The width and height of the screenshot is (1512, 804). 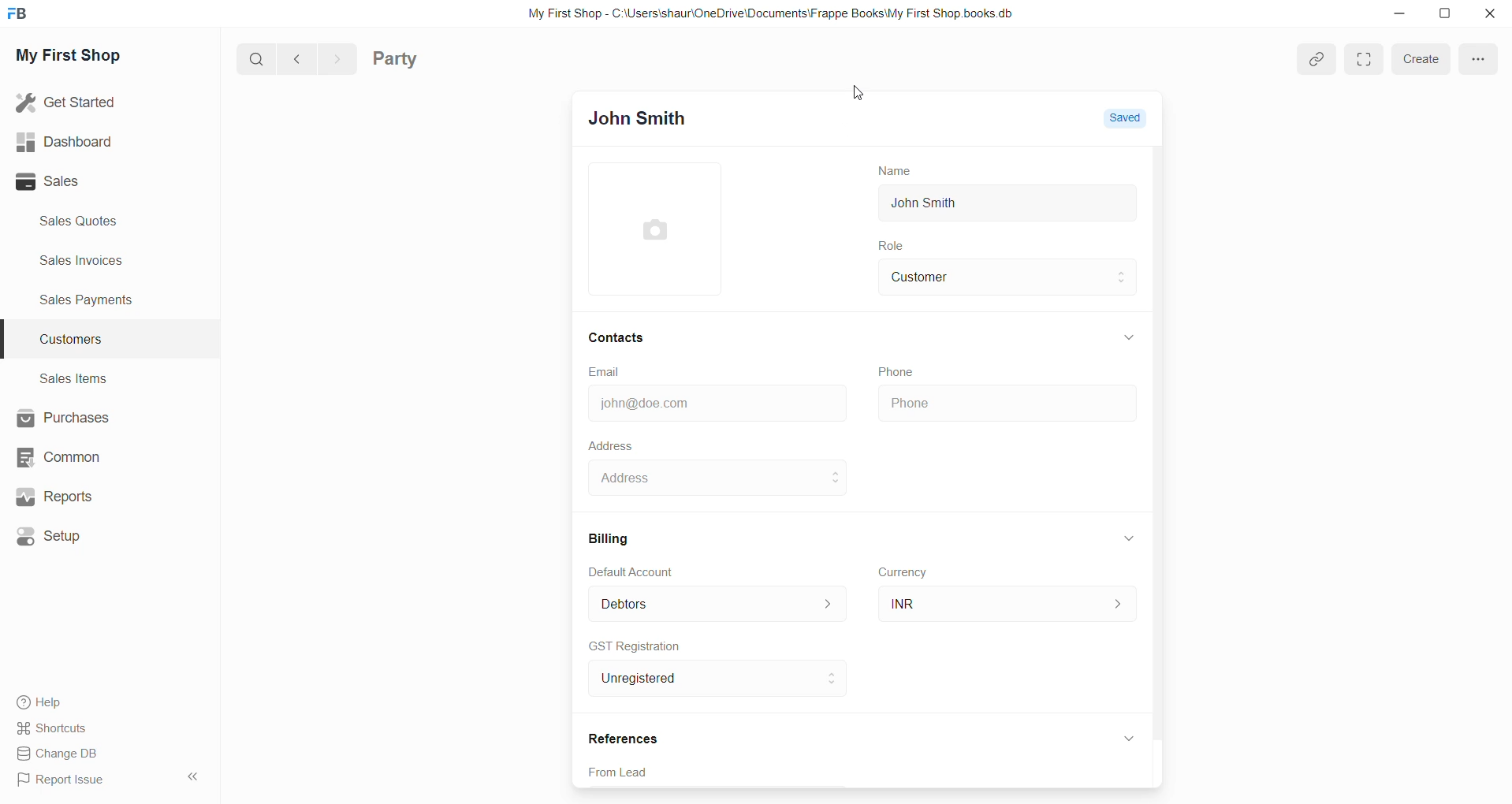 I want to click on customers, so click(x=83, y=341).